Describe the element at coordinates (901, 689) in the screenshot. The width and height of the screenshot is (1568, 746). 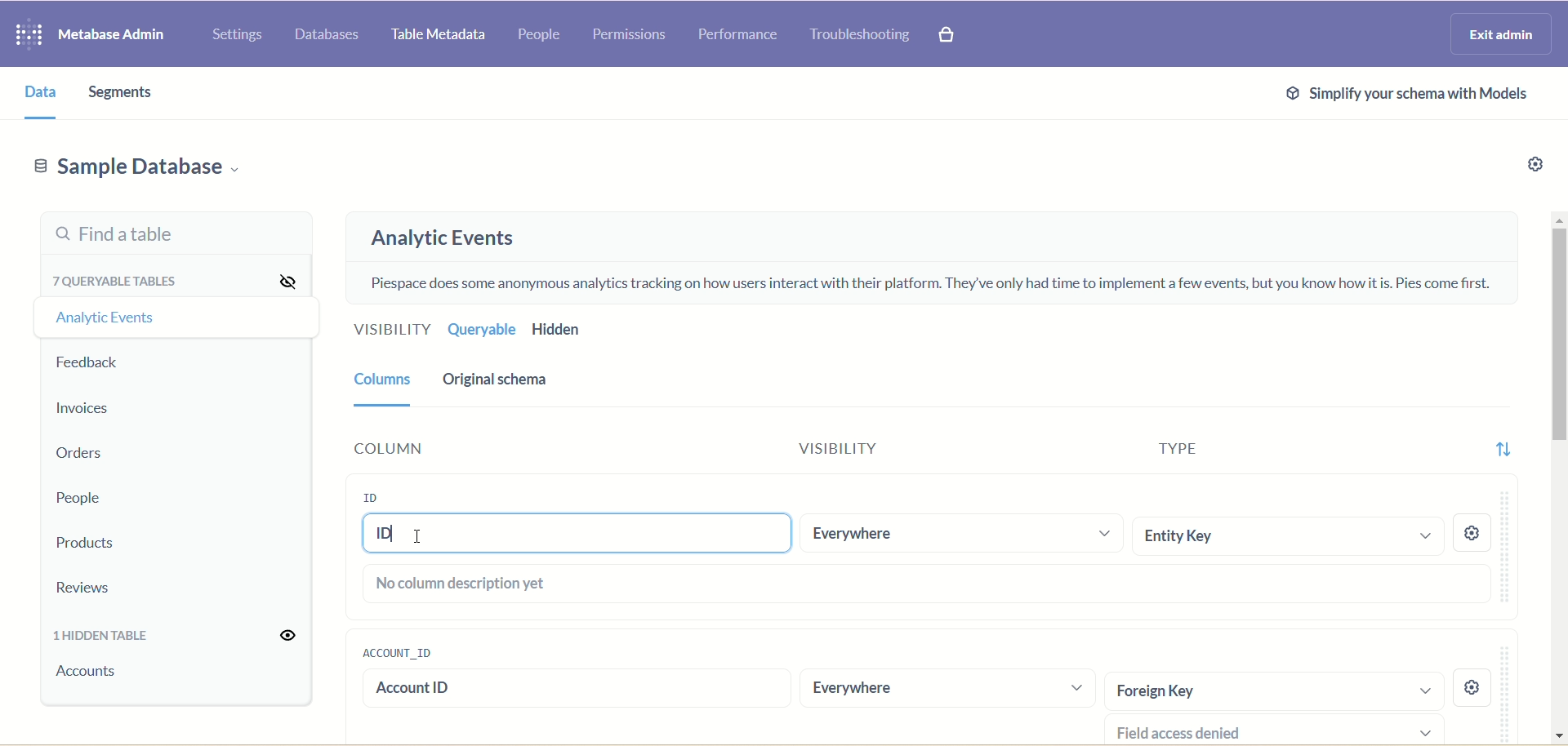
I see `Everywhere` at that location.